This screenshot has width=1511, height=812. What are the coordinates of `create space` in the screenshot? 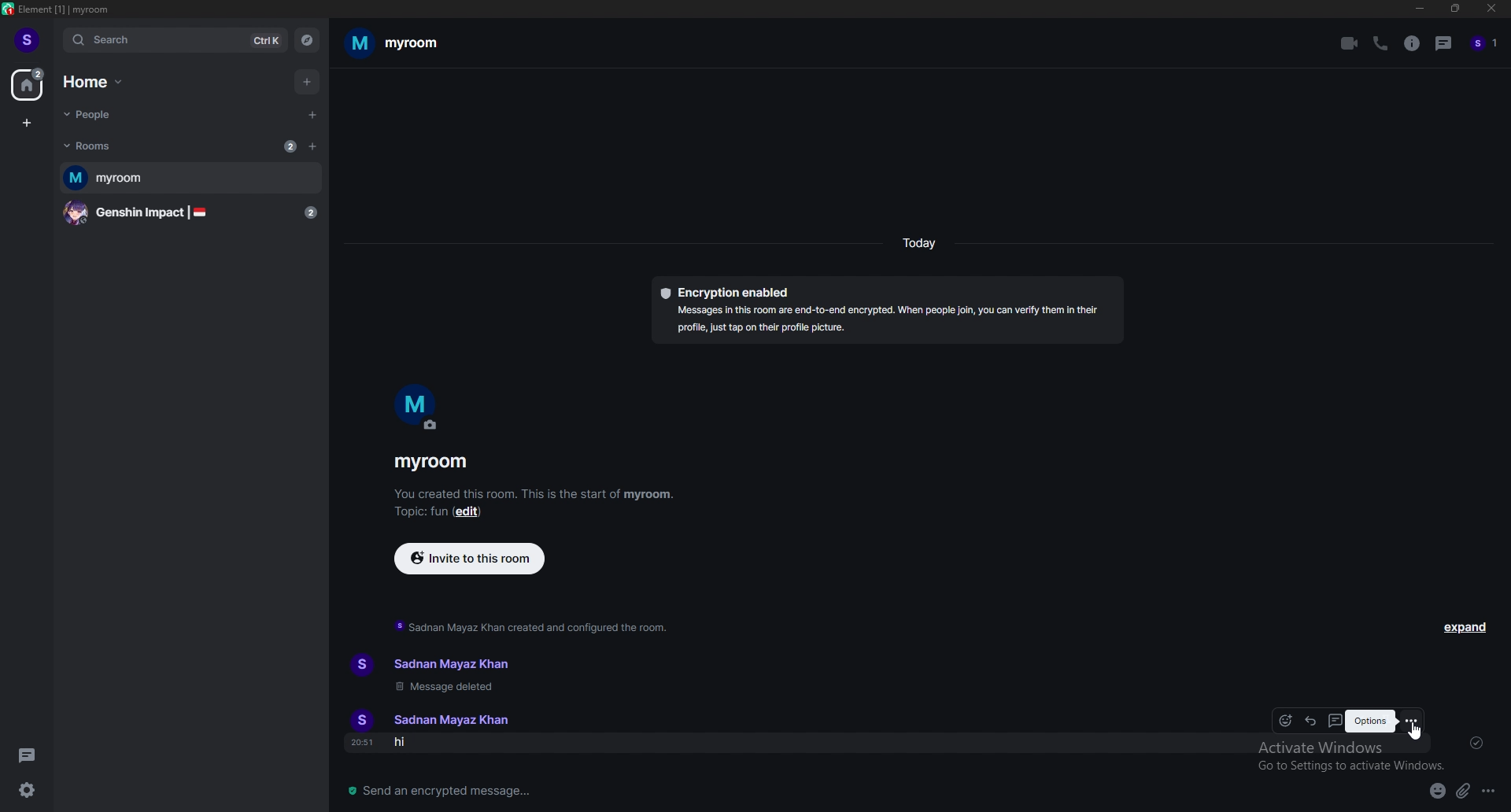 It's located at (27, 124).